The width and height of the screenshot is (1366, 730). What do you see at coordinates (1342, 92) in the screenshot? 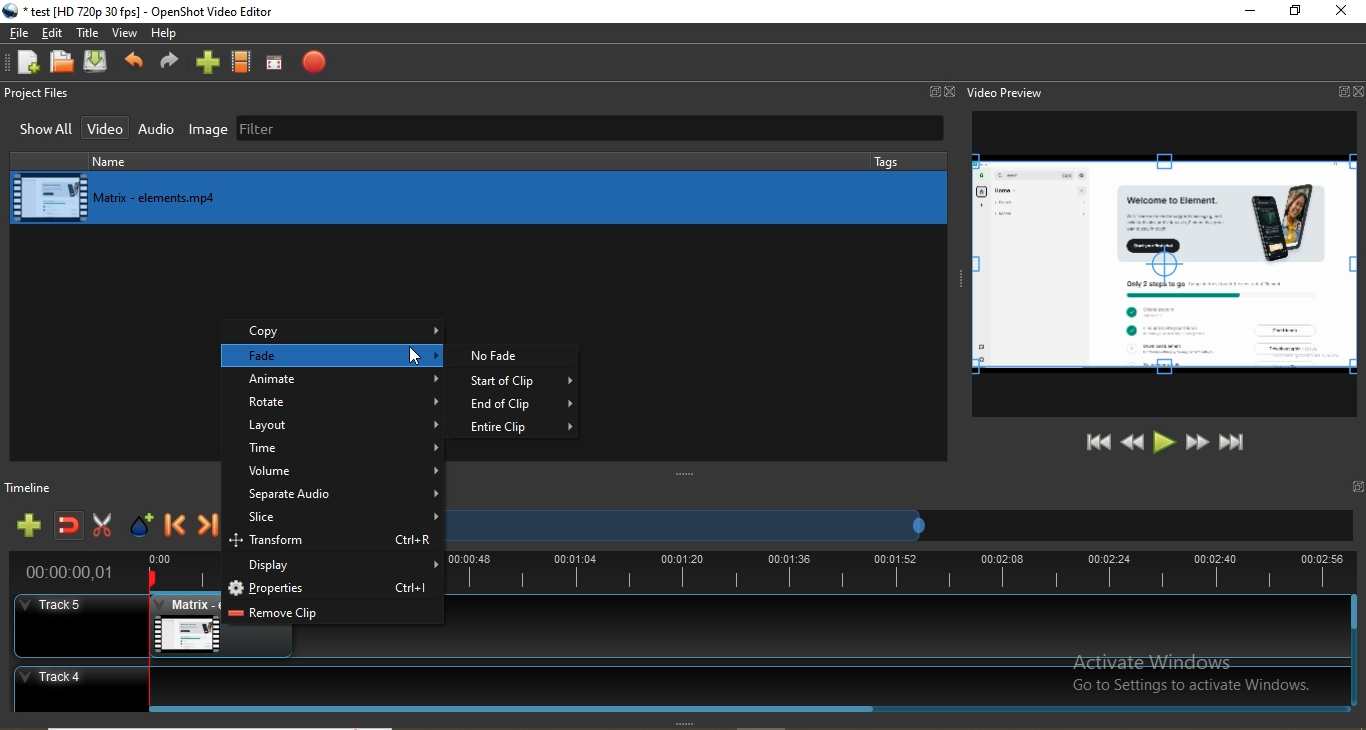
I see `Window ` at bounding box center [1342, 92].